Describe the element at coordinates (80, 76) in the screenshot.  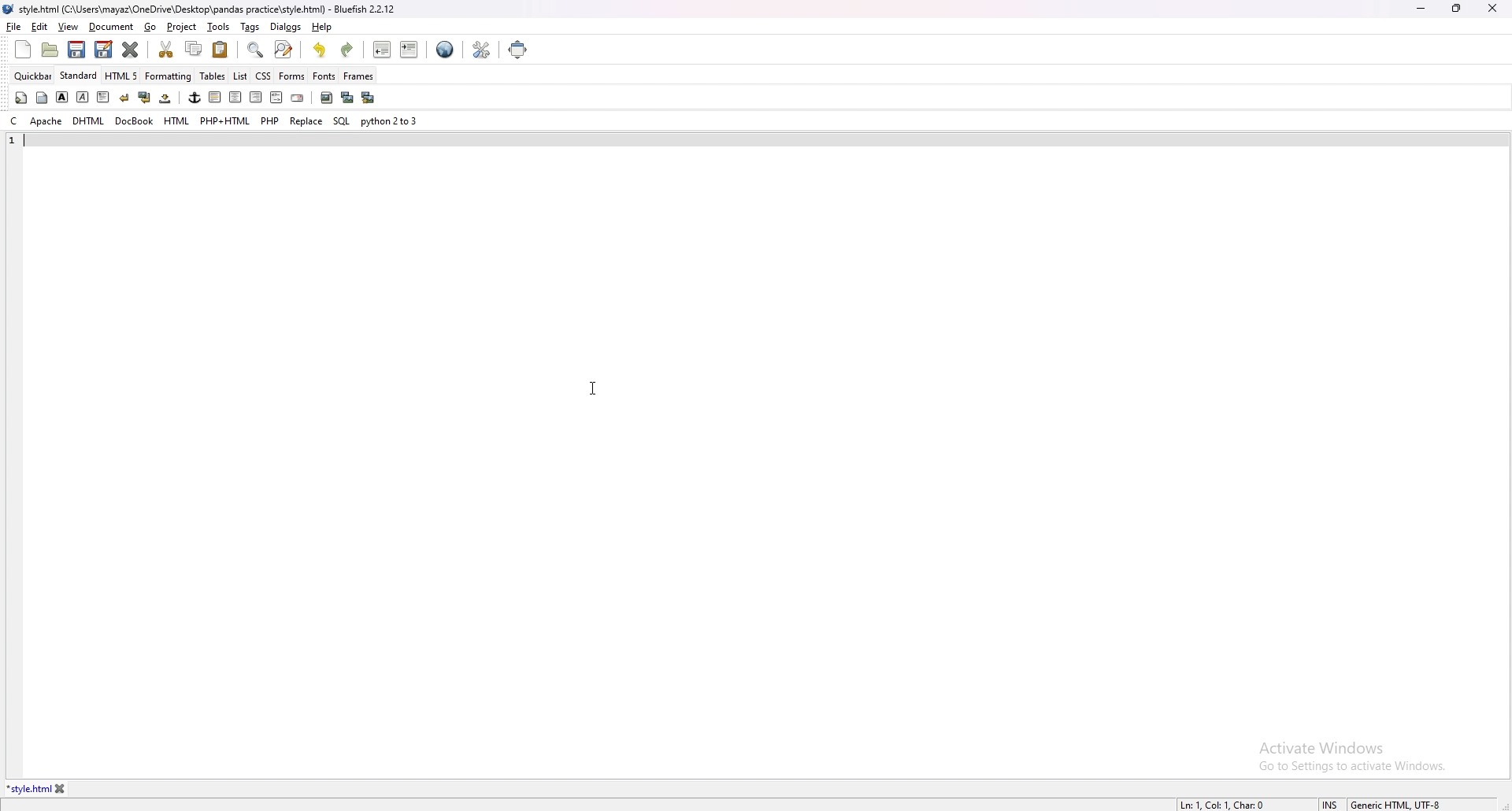
I see `standard` at that location.